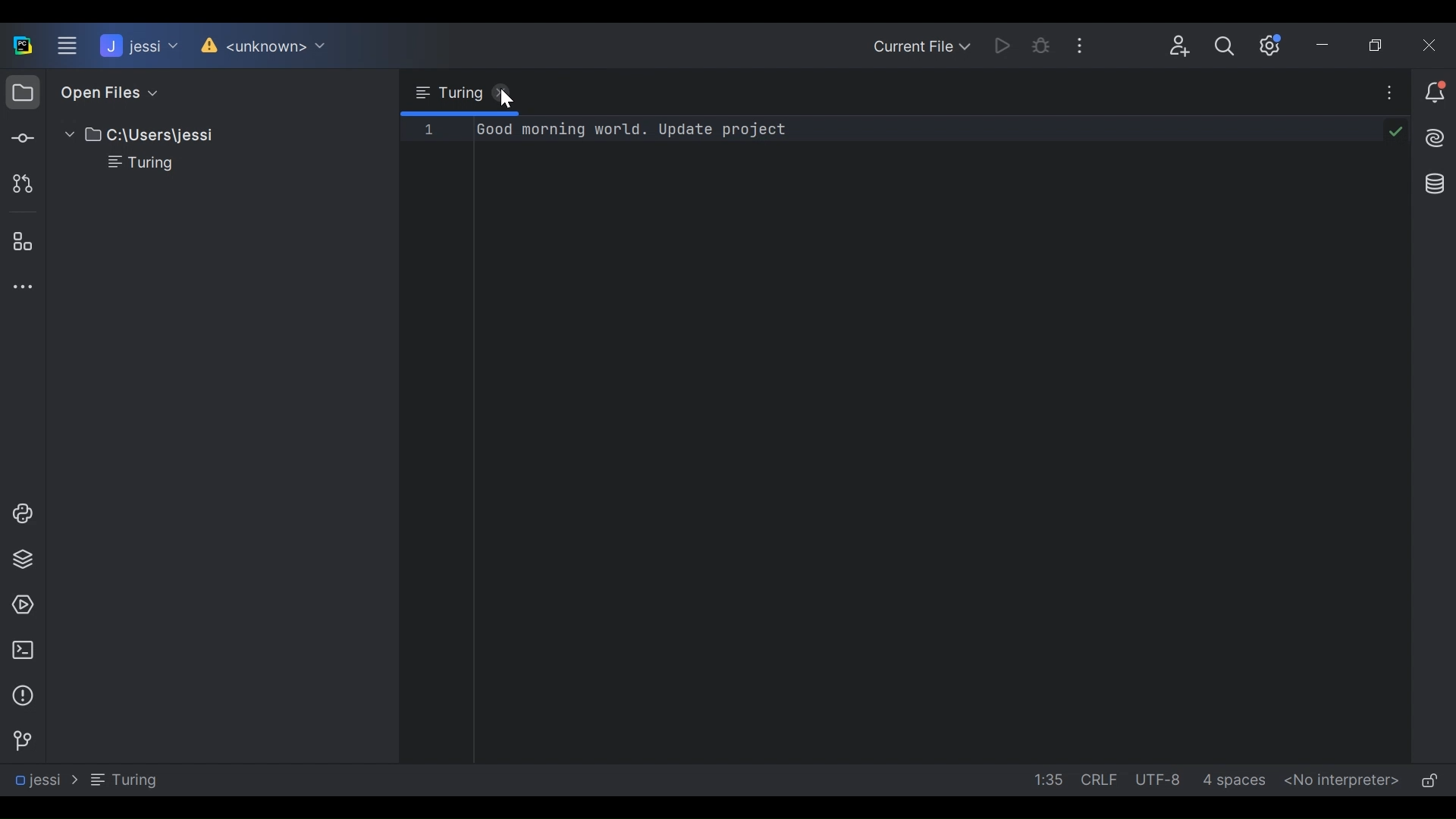  I want to click on Project View, so click(22, 91).